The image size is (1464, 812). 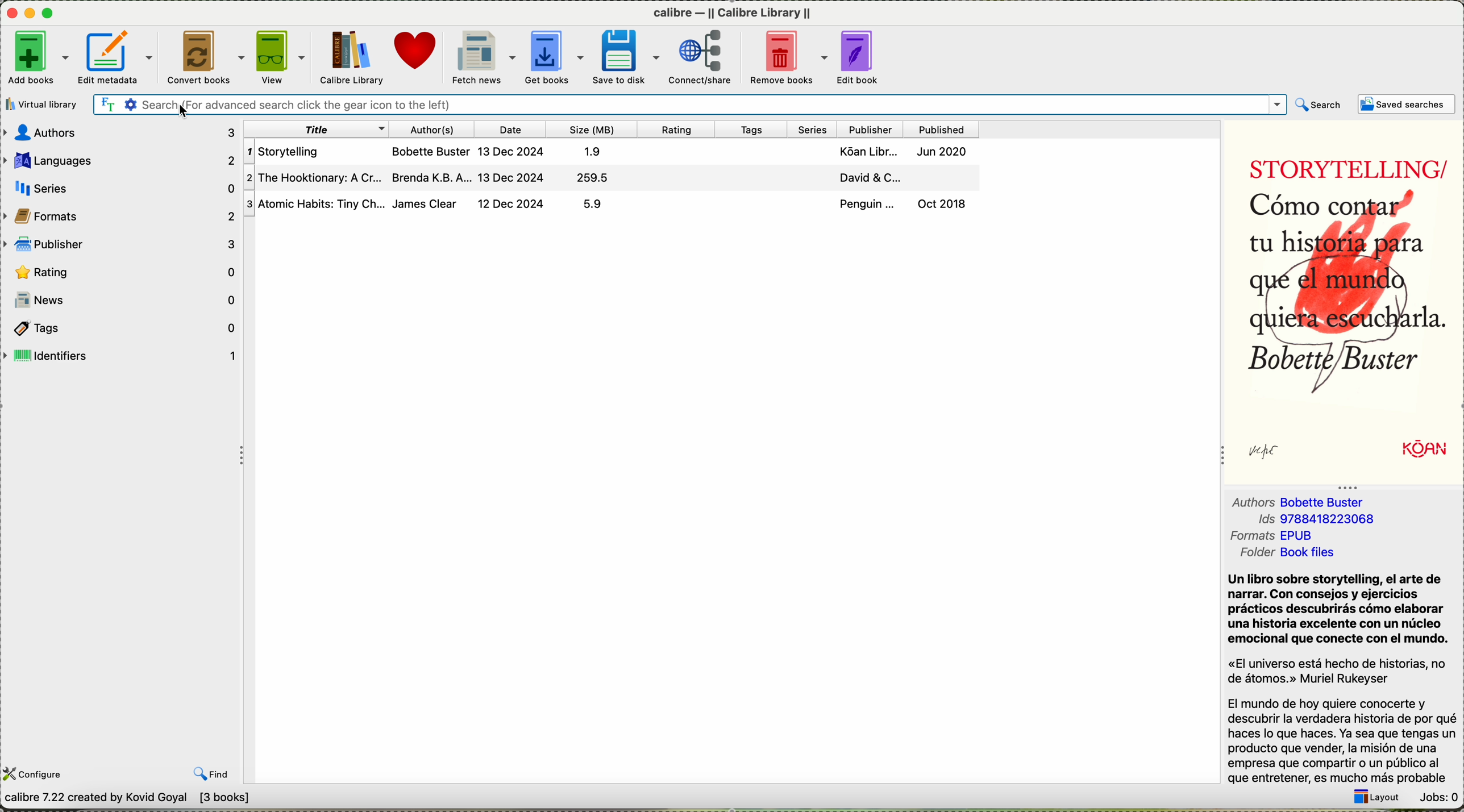 What do you see at coordinates (601, 204) in the screenshot?
I see `5.9` at bounding box center [601, 204].